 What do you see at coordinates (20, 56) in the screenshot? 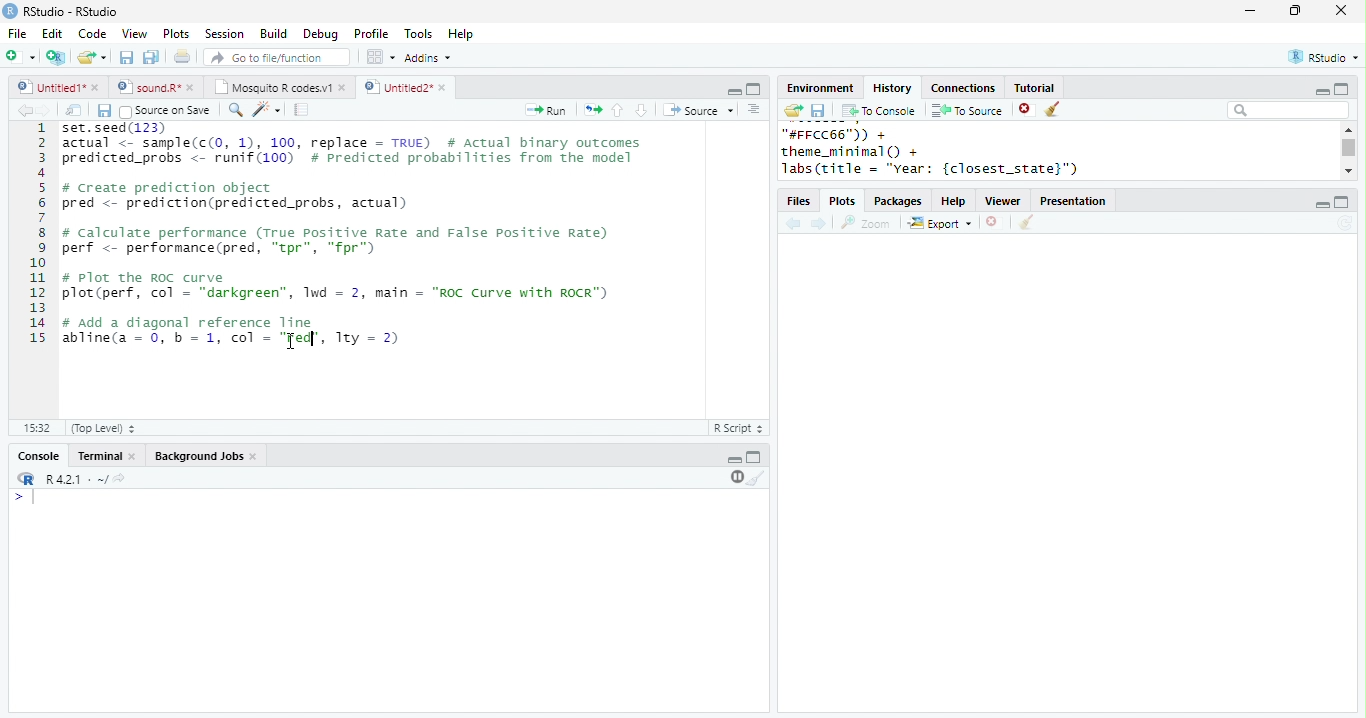
I see `new file` at bounding box center [20, 56].